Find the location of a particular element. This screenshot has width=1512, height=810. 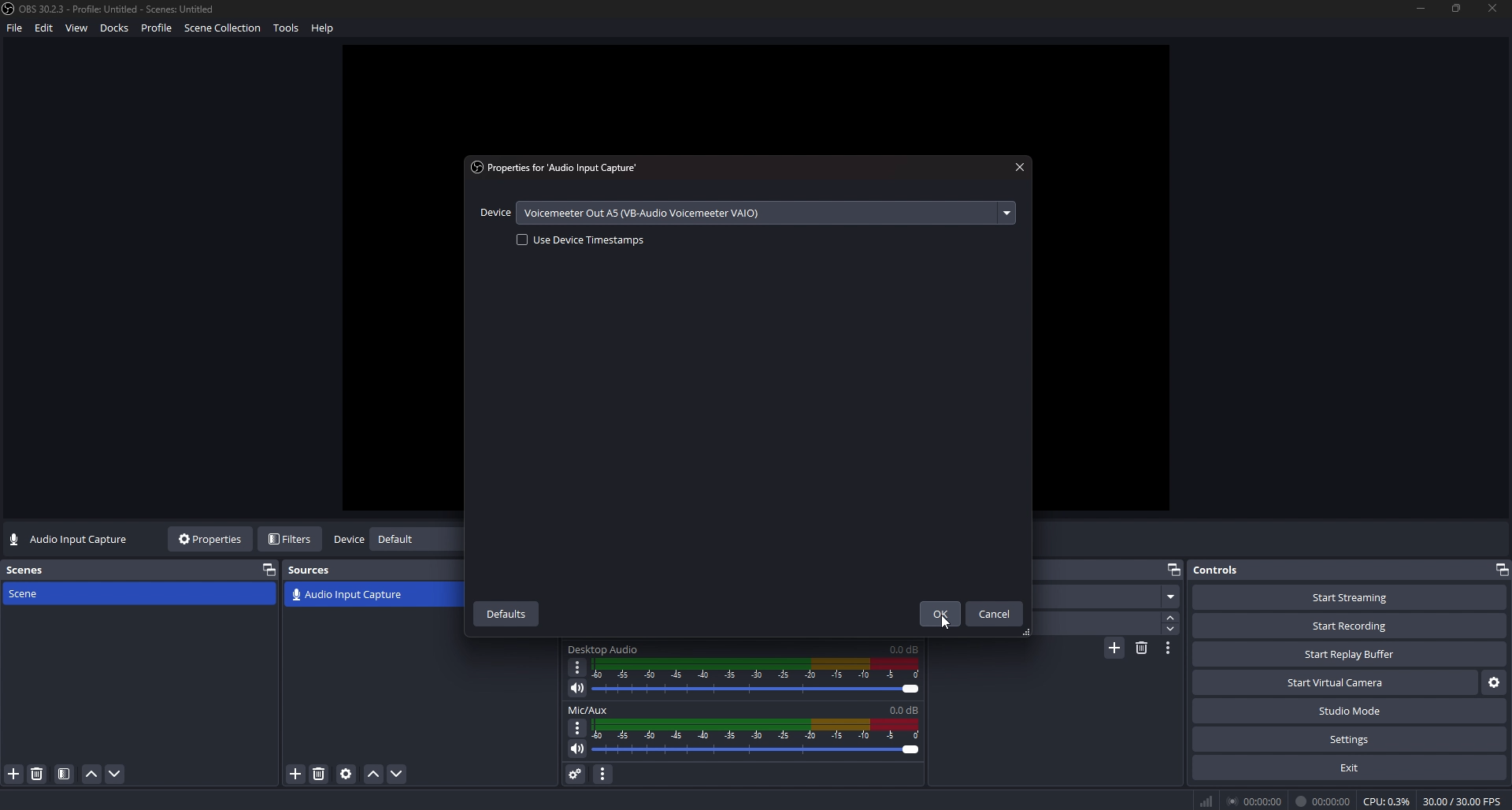

decrease duration is located at coordinates (1171, 629).